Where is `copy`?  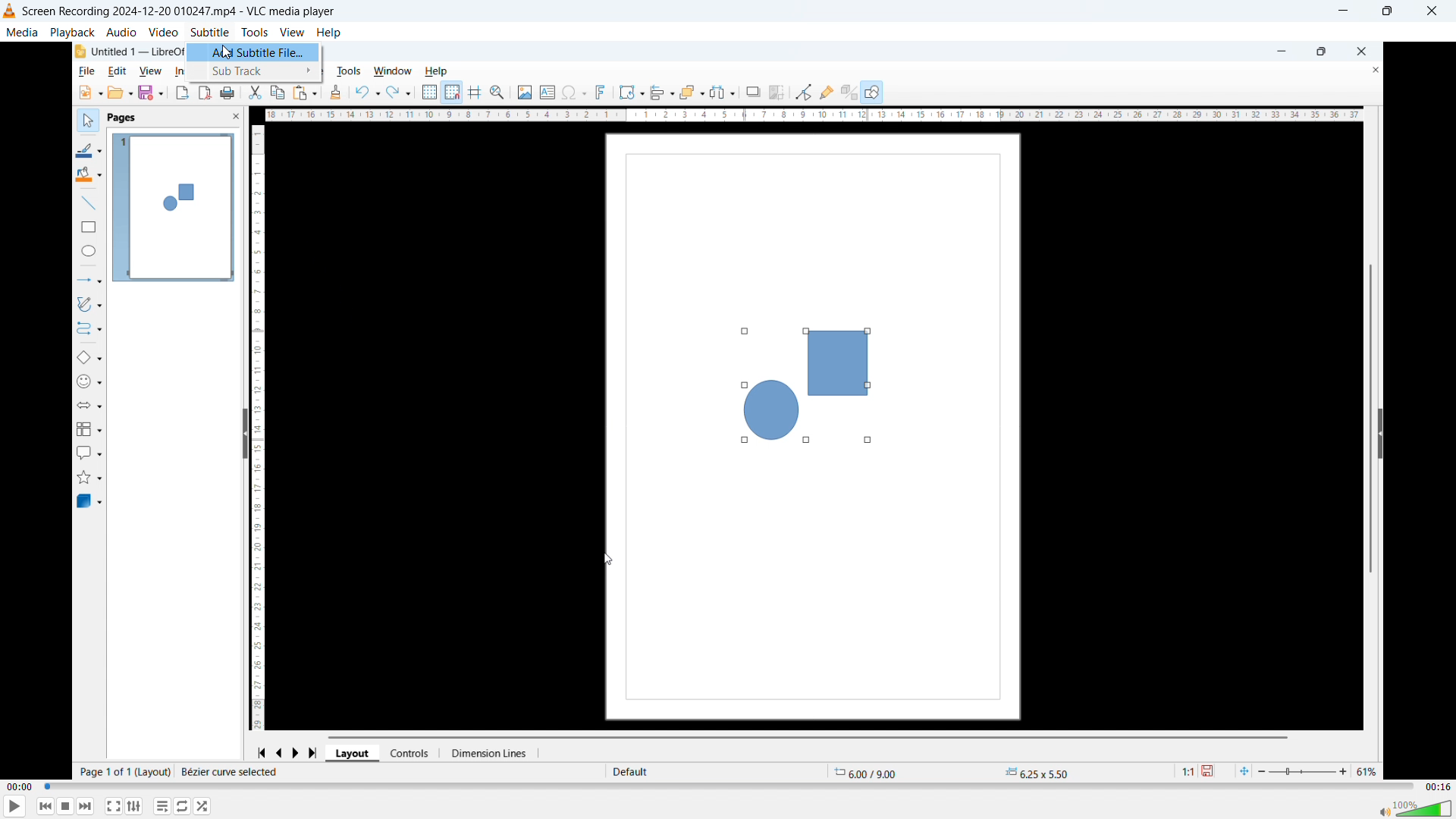 copy is located at coordinates (278, 93).